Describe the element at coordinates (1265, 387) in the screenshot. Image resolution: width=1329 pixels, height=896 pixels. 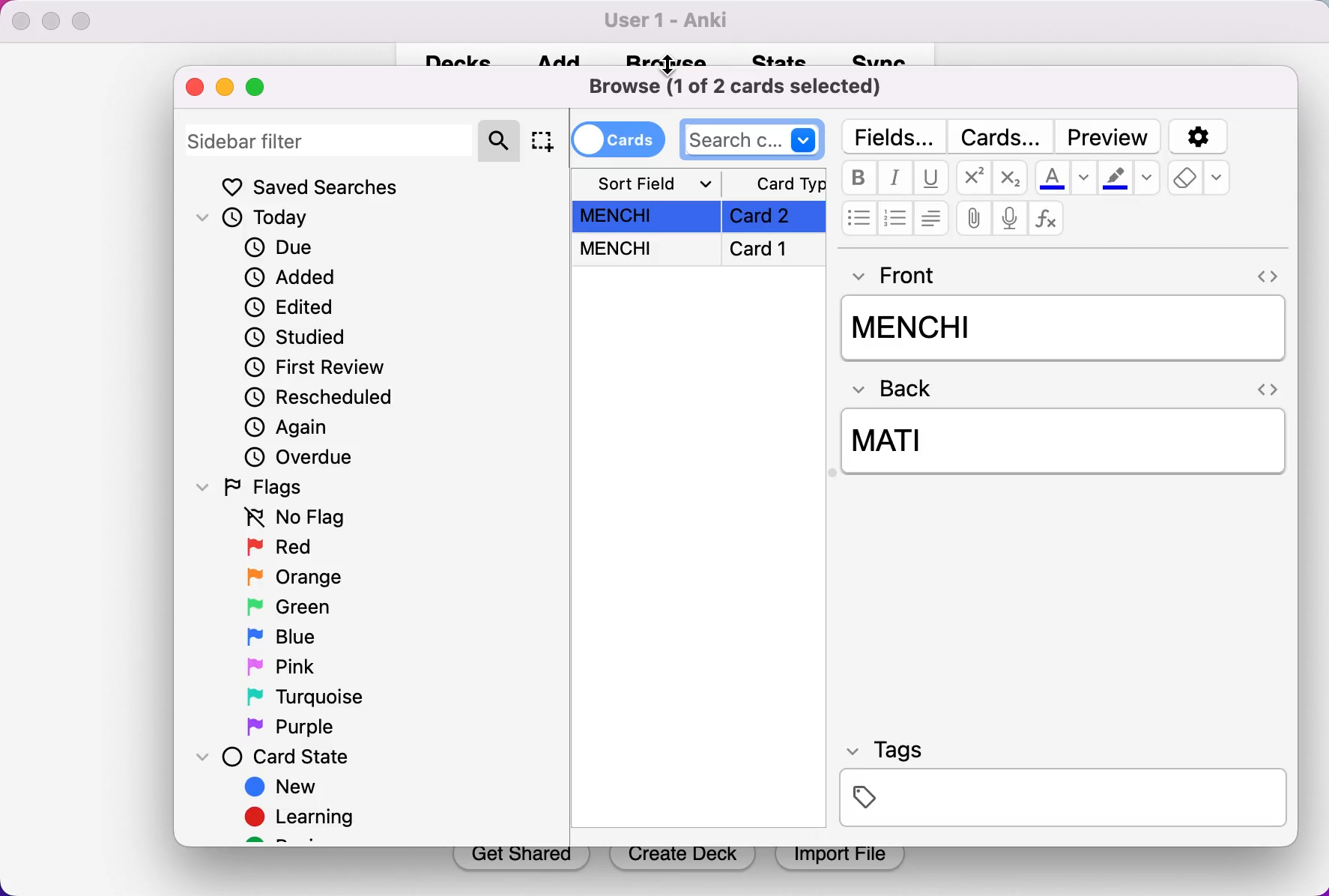
I see `go back or go next` at that location.